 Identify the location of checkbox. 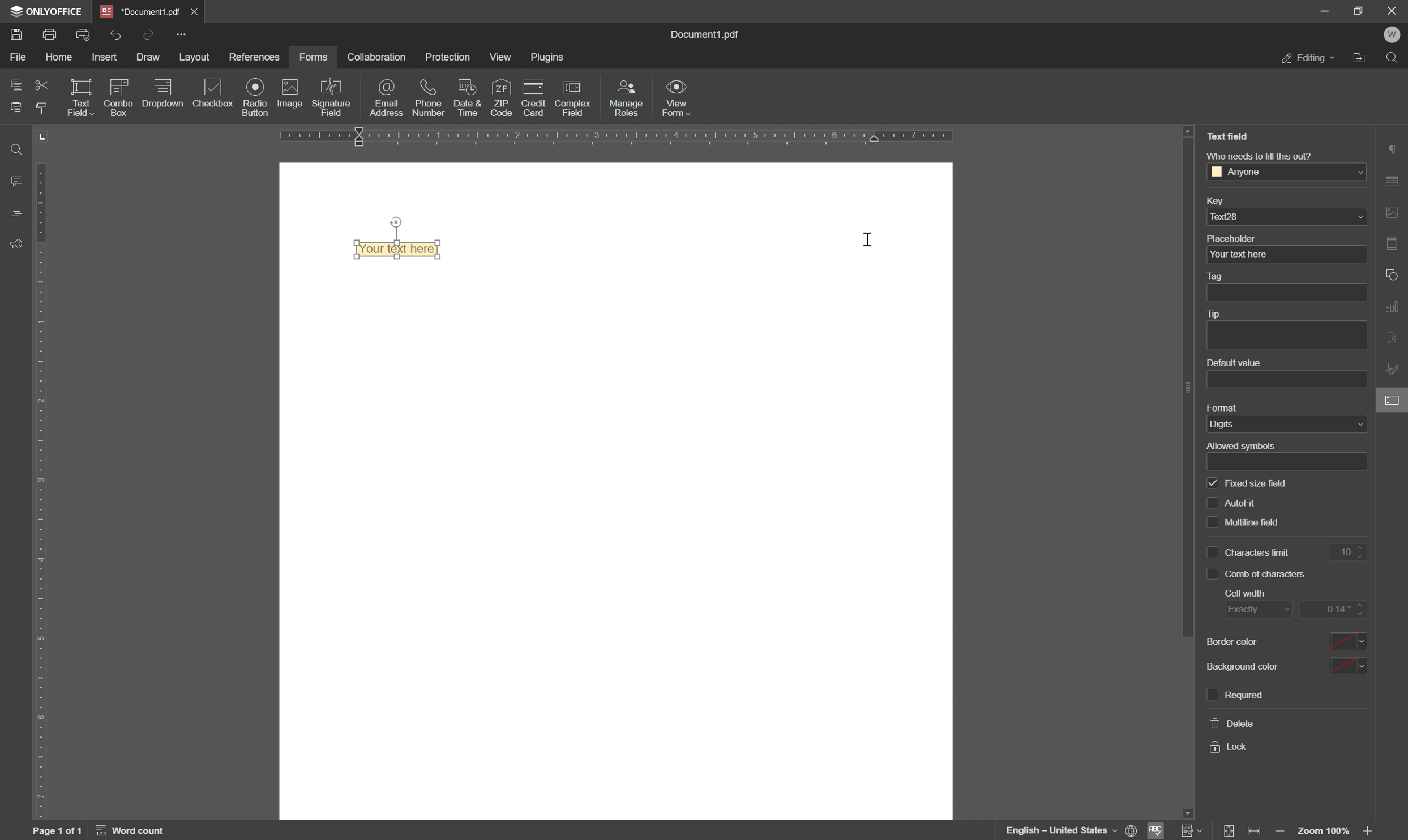
(209, 93).